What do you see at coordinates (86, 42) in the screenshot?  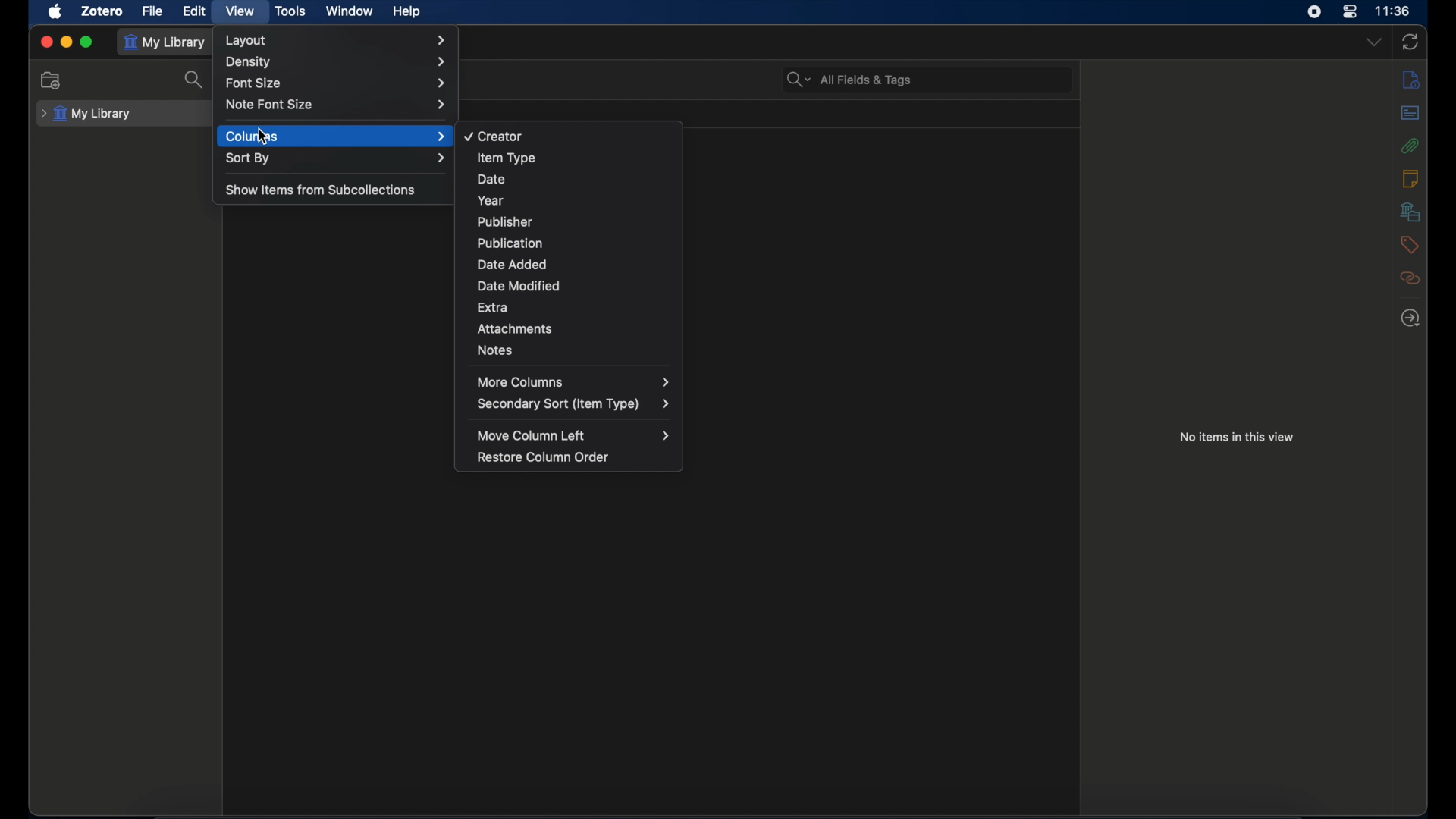 I see `maximize` at bounding box center [86, 42].